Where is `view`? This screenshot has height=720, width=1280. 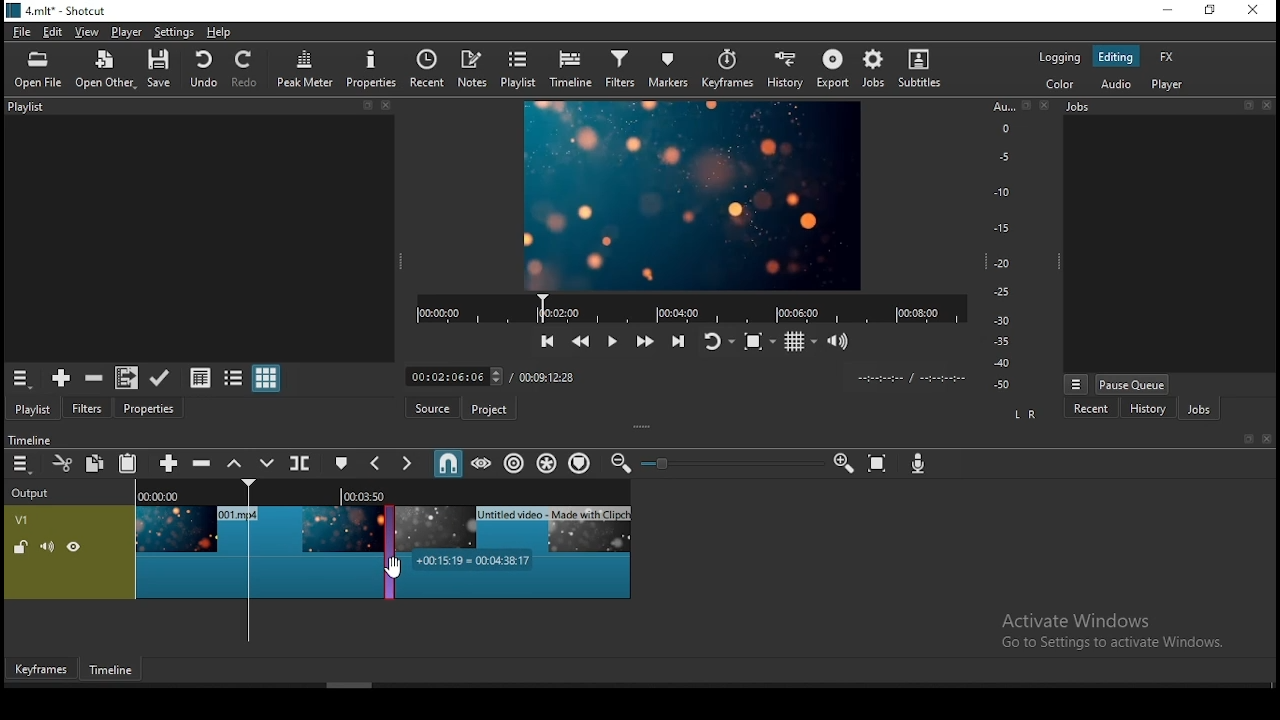
view is located at coordinates (85, 31).